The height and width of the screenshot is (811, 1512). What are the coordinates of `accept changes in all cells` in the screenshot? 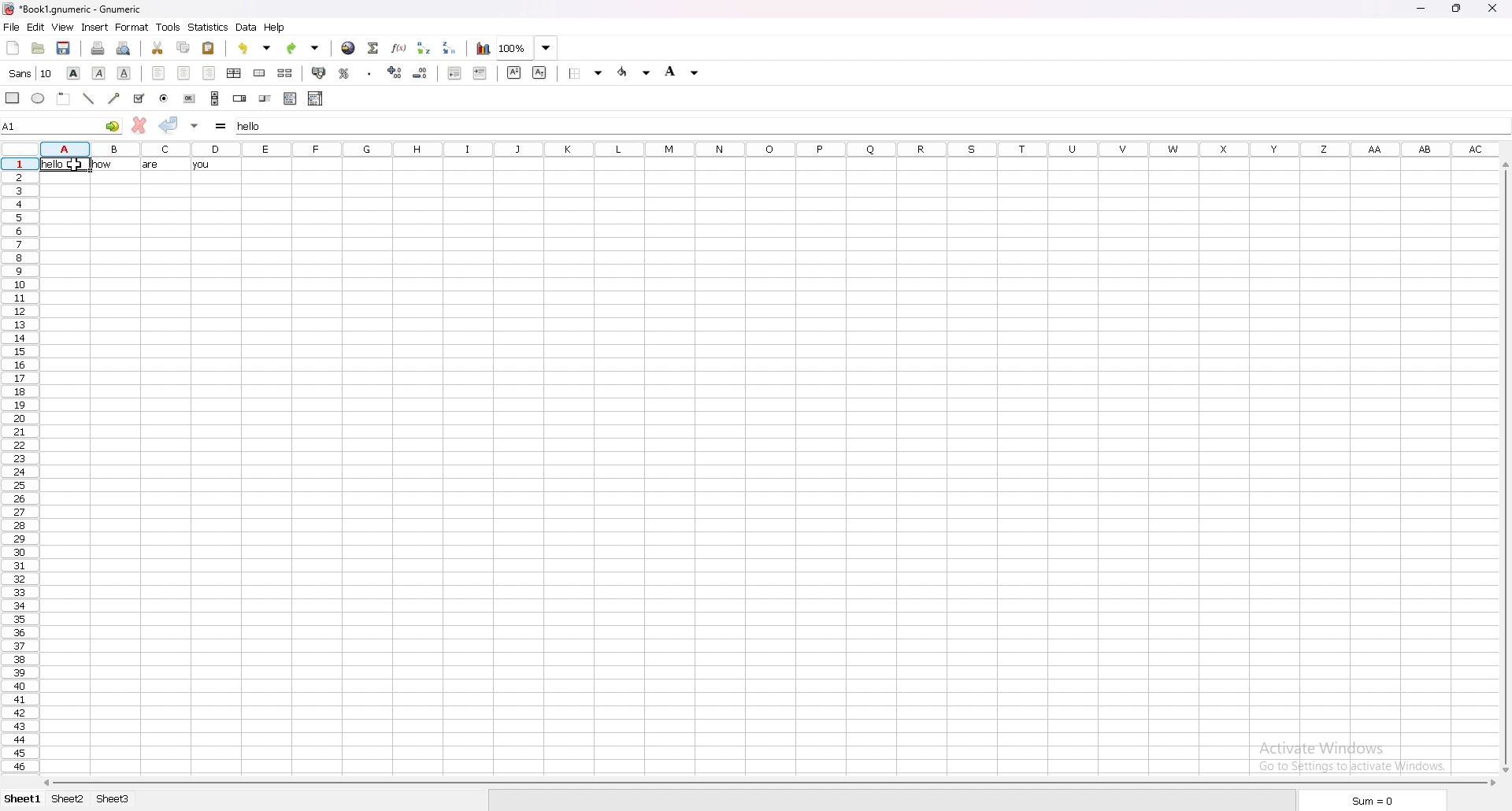 It's located at (195, 125).